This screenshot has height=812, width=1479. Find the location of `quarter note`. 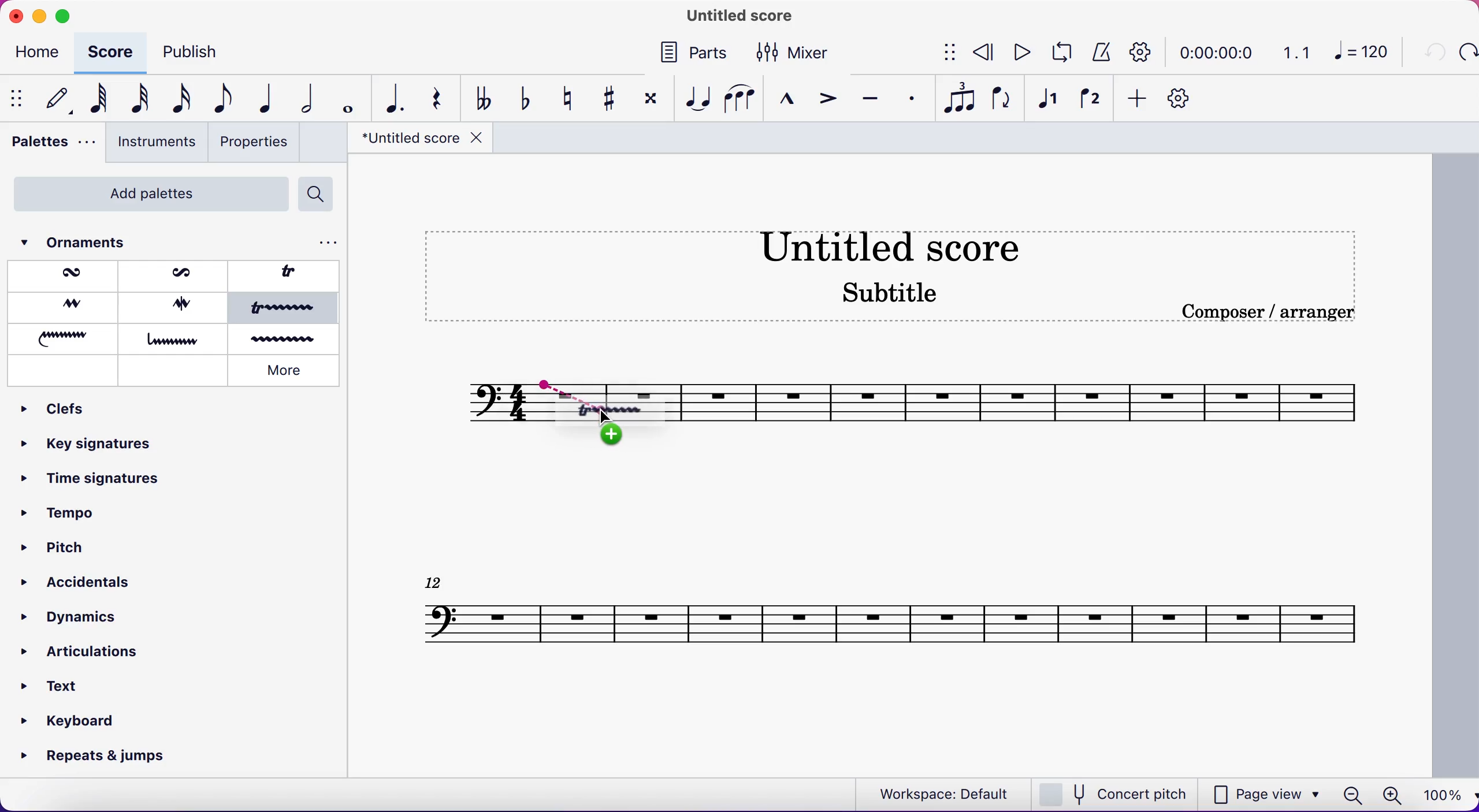

quarter note is located at coordinates (263, 100).